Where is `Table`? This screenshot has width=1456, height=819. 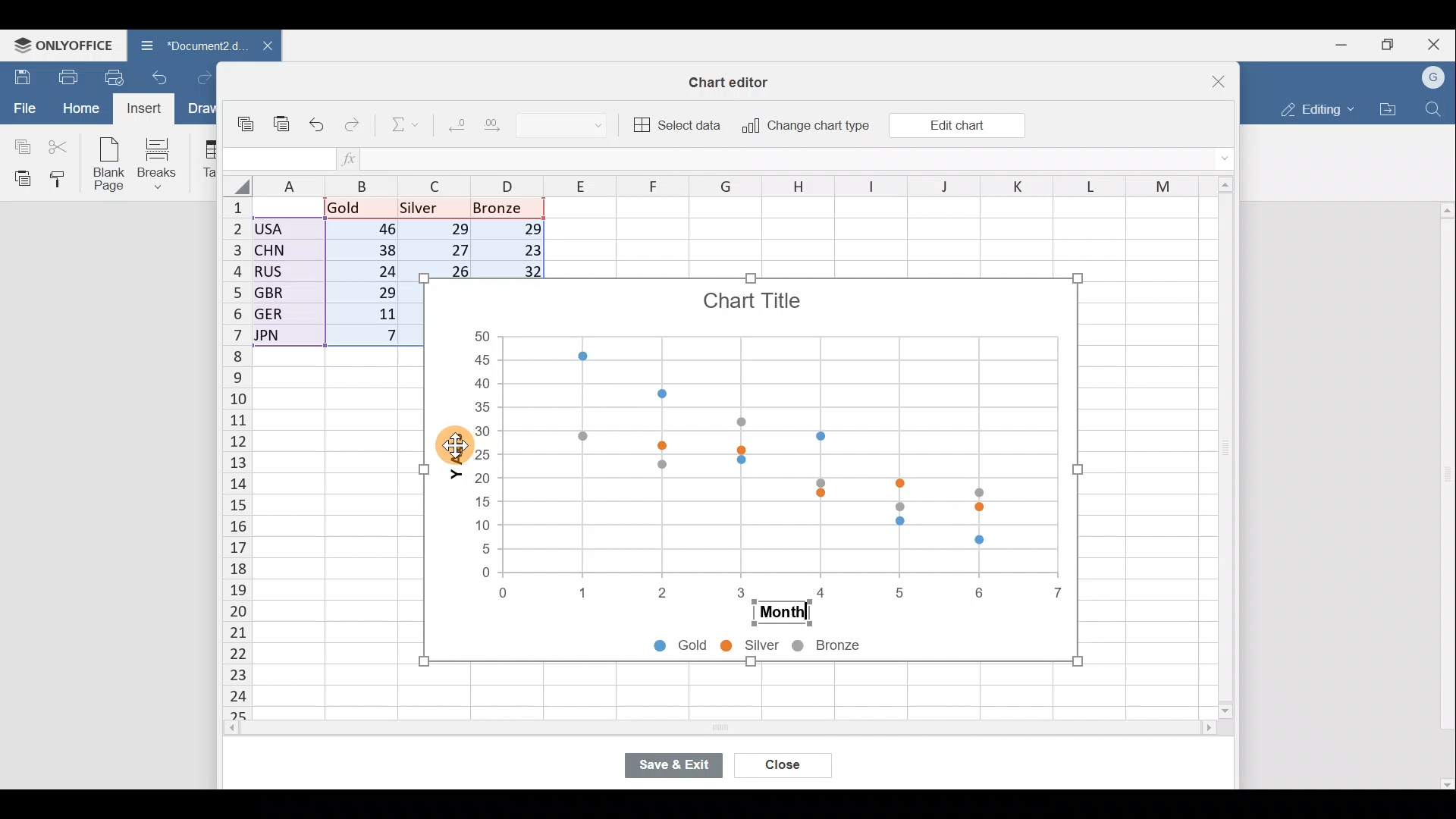
Table is located at coordinates (209, 160).